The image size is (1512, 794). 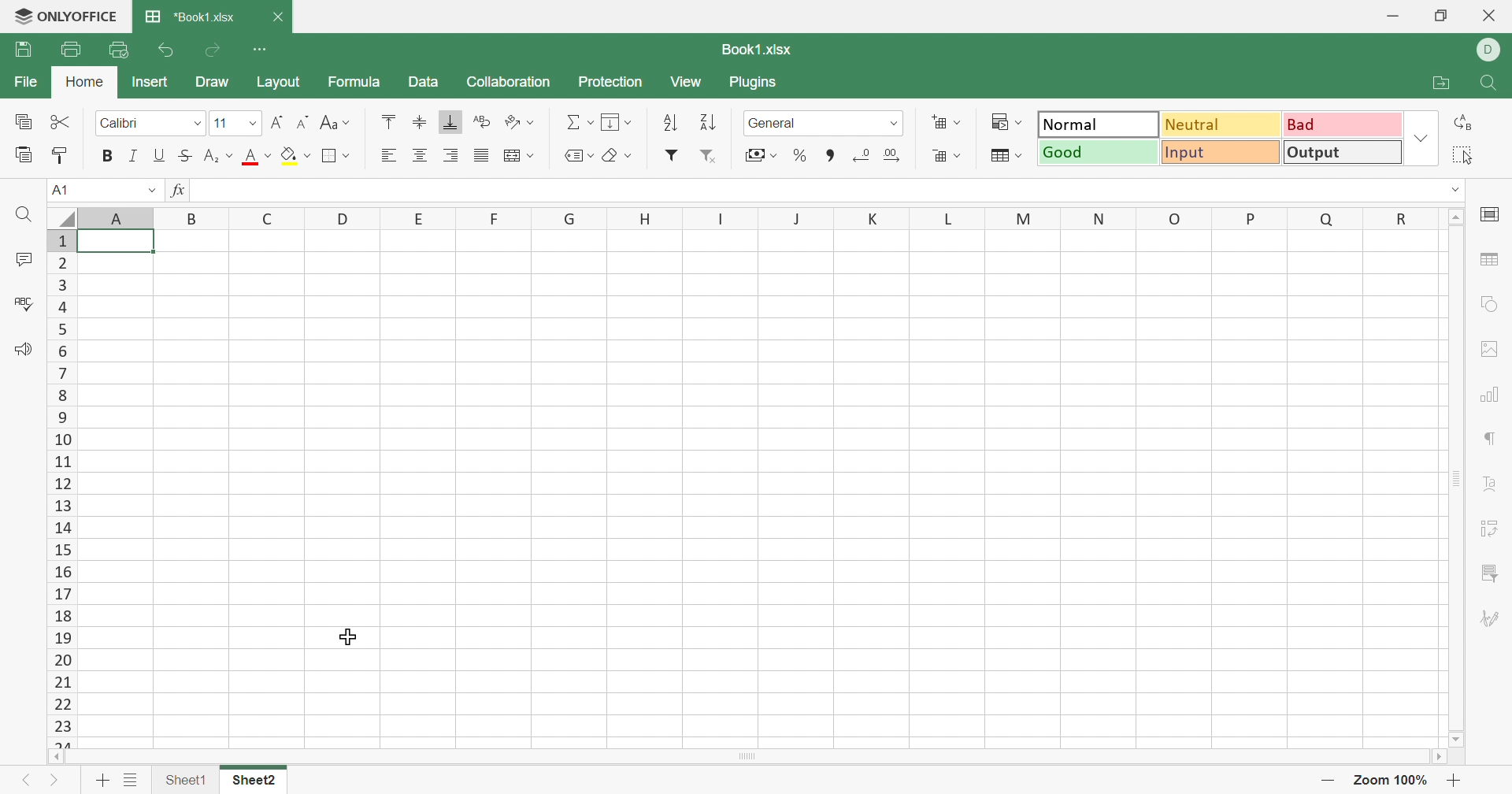 What do you see at coordinates (1006, 157) in the screenshot?
I see `Format as table template` at bounding box center [1006, 157].